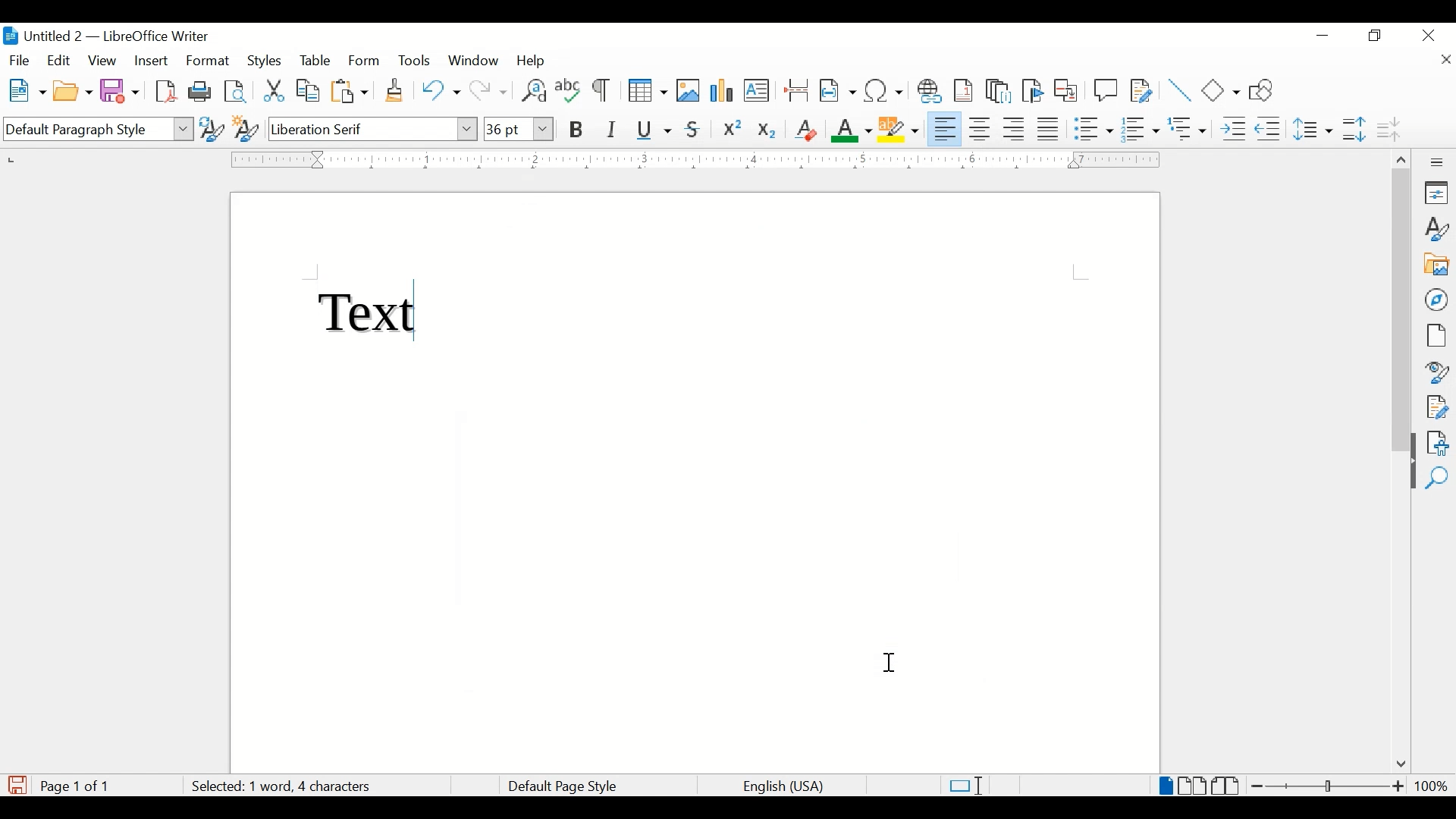 This screenshot has height=819, width=1456. I want to click on select outline format, so click(1188, 129).